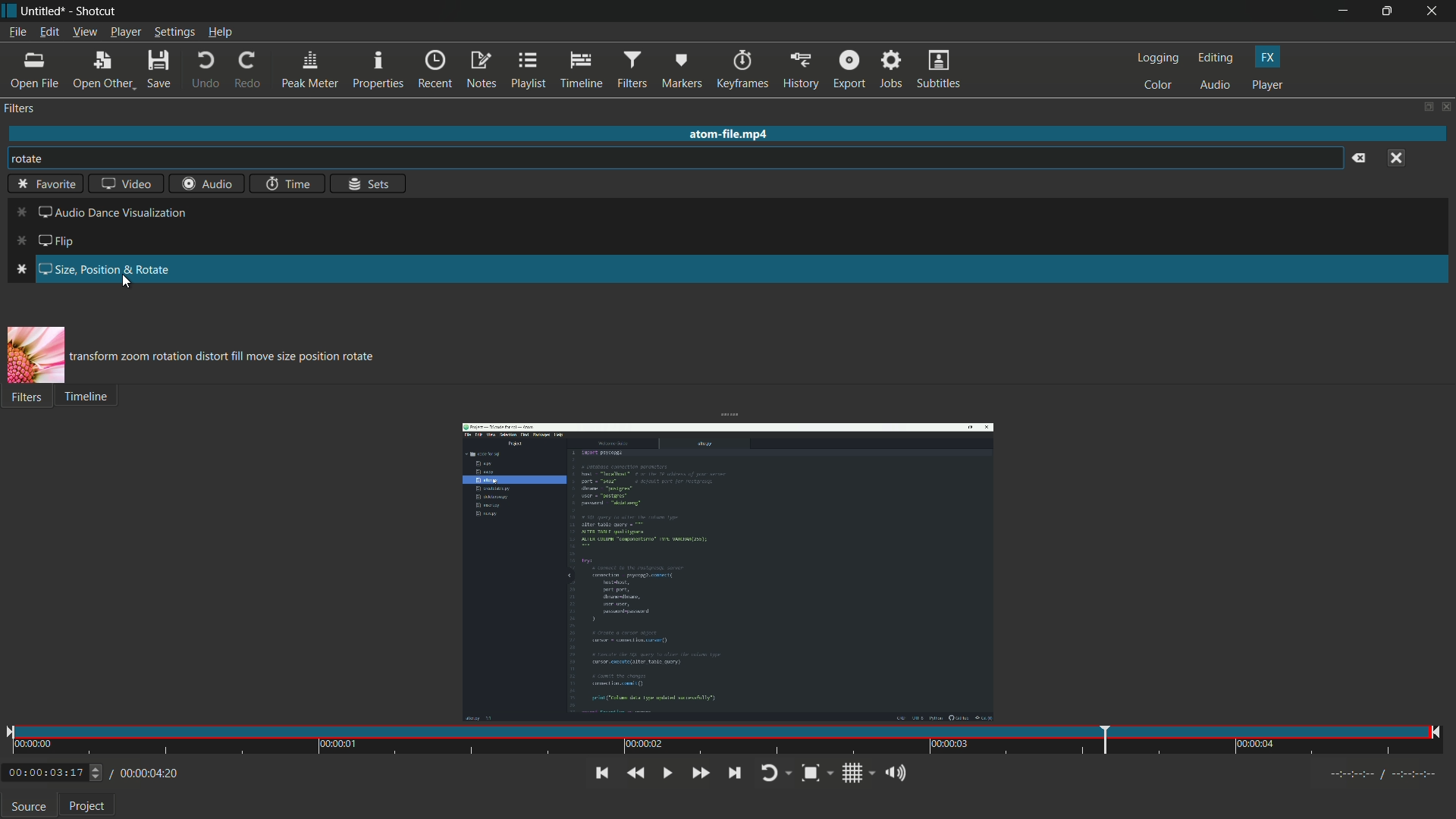  What do you see at coordinates (50, 773) in the screenshot?
I see `/00:00:03:17` at bounding box center [50, 773].